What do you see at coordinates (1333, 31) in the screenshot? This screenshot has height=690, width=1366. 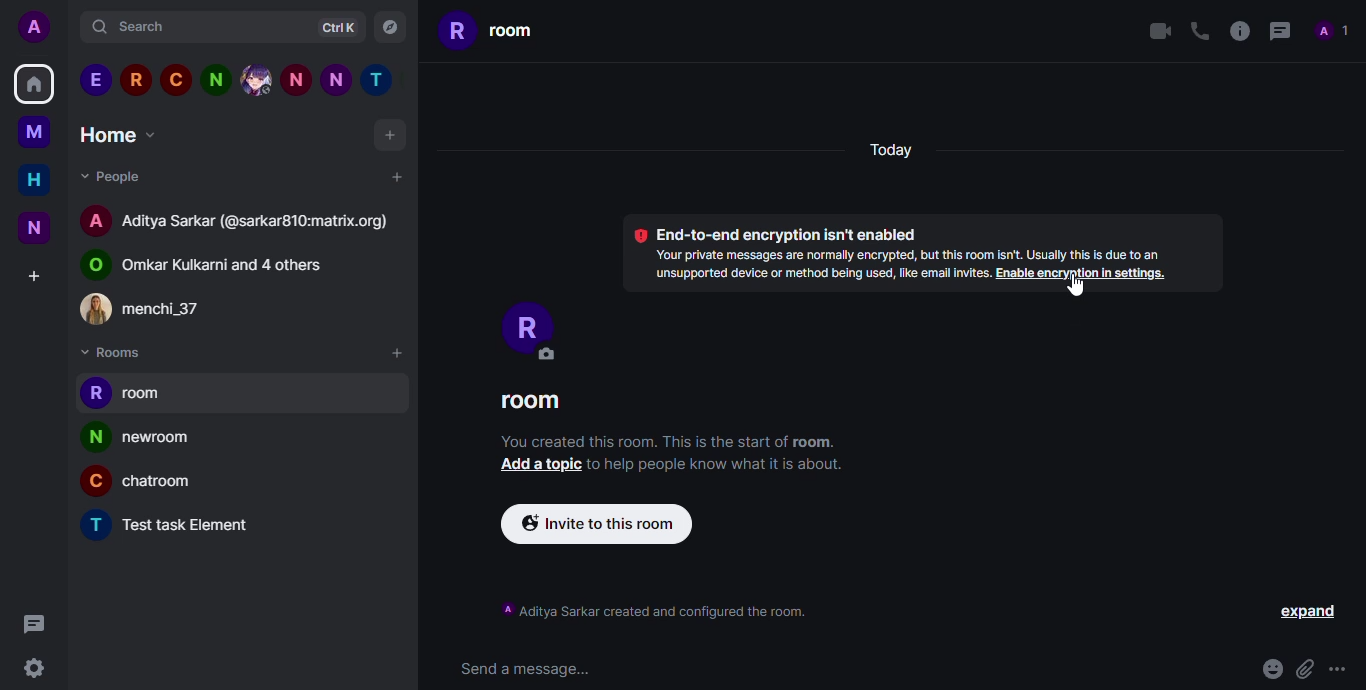 I see `people` at bounding box center [1333, 31].